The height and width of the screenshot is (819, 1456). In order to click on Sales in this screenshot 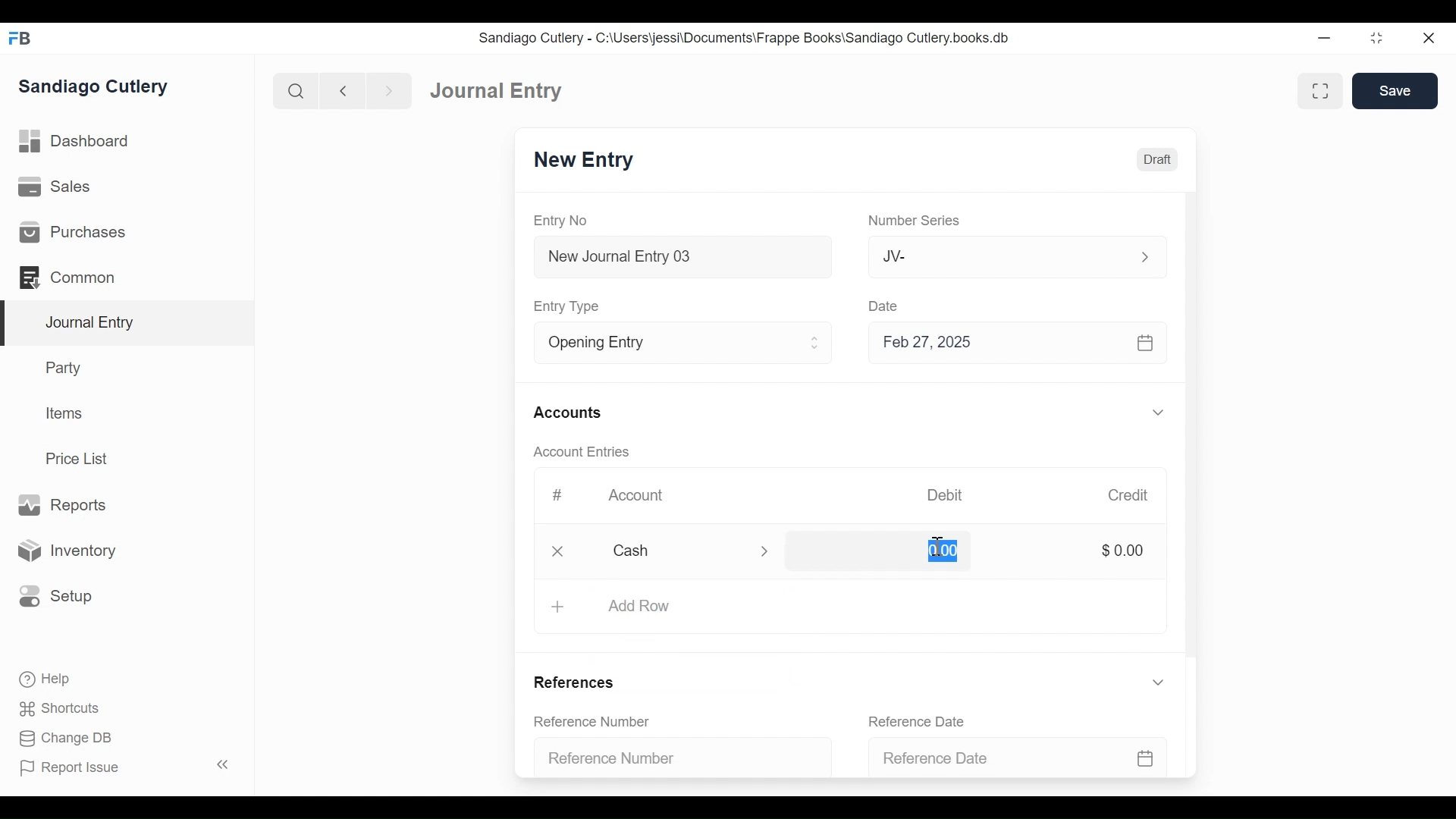, I will do `click(55, 186)`.